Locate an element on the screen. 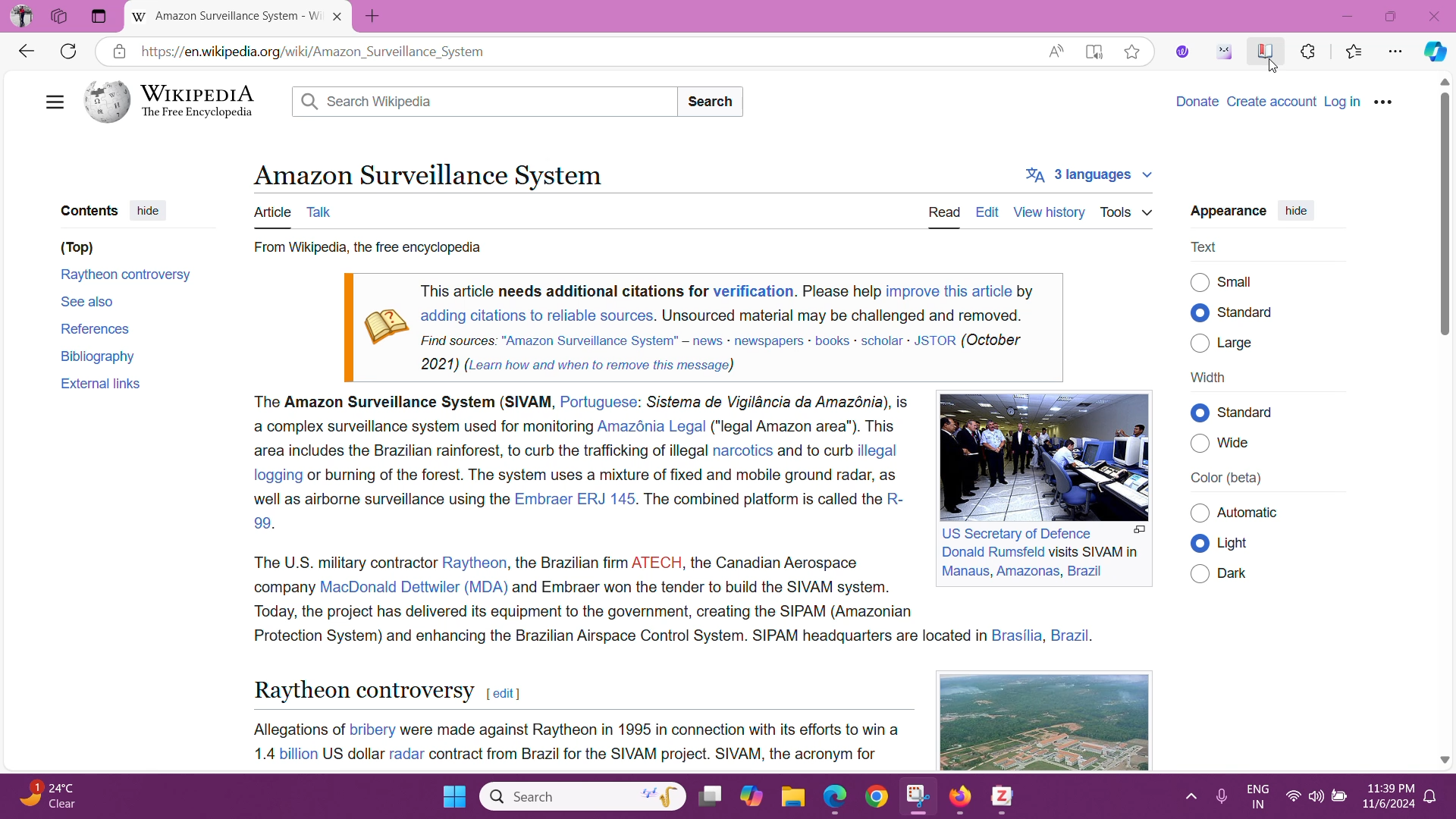  Edit is located at coordinates (987, 212).